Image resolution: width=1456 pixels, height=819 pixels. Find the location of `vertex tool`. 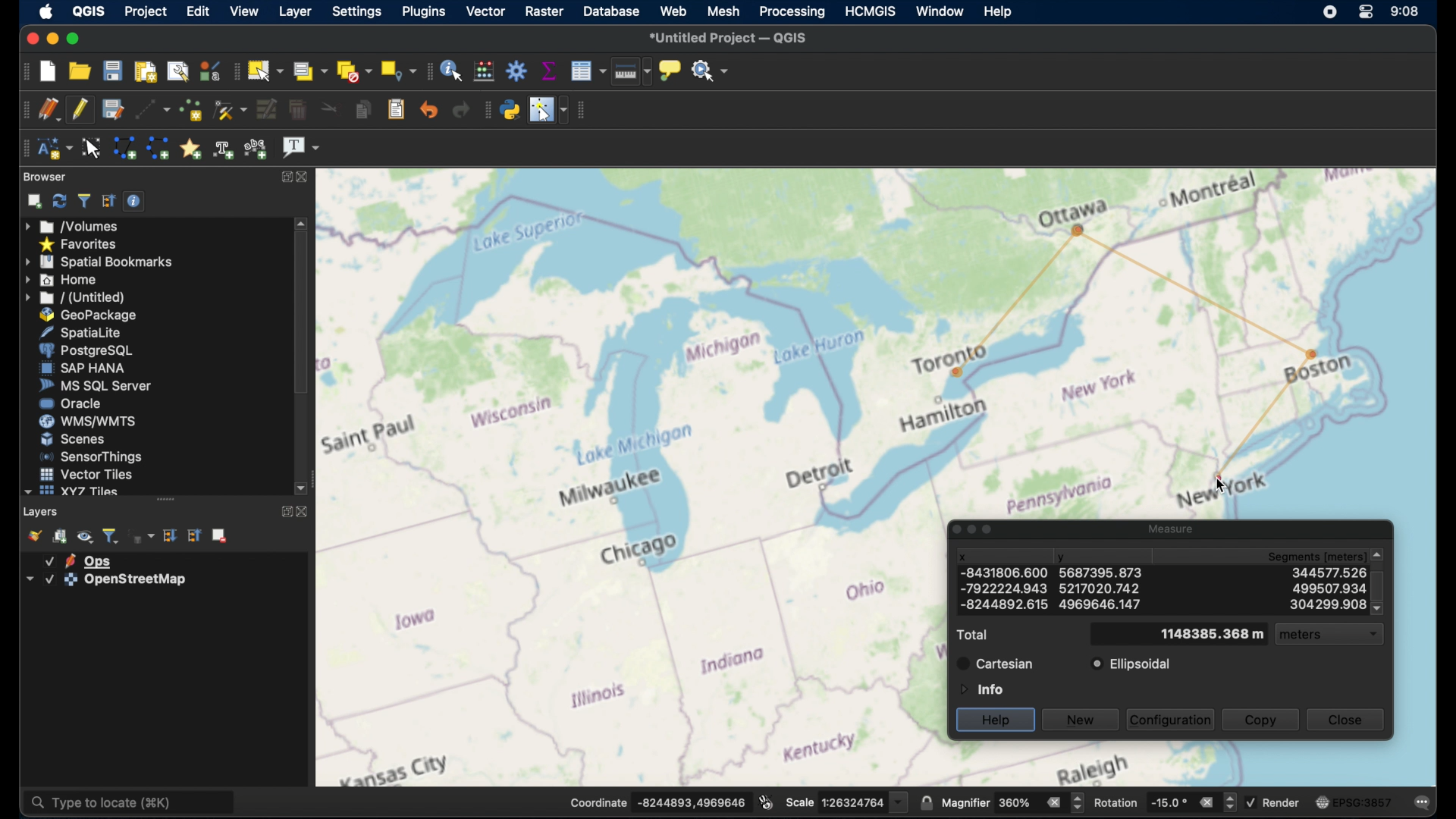

vertex tool is located at coordinates (231, 110).